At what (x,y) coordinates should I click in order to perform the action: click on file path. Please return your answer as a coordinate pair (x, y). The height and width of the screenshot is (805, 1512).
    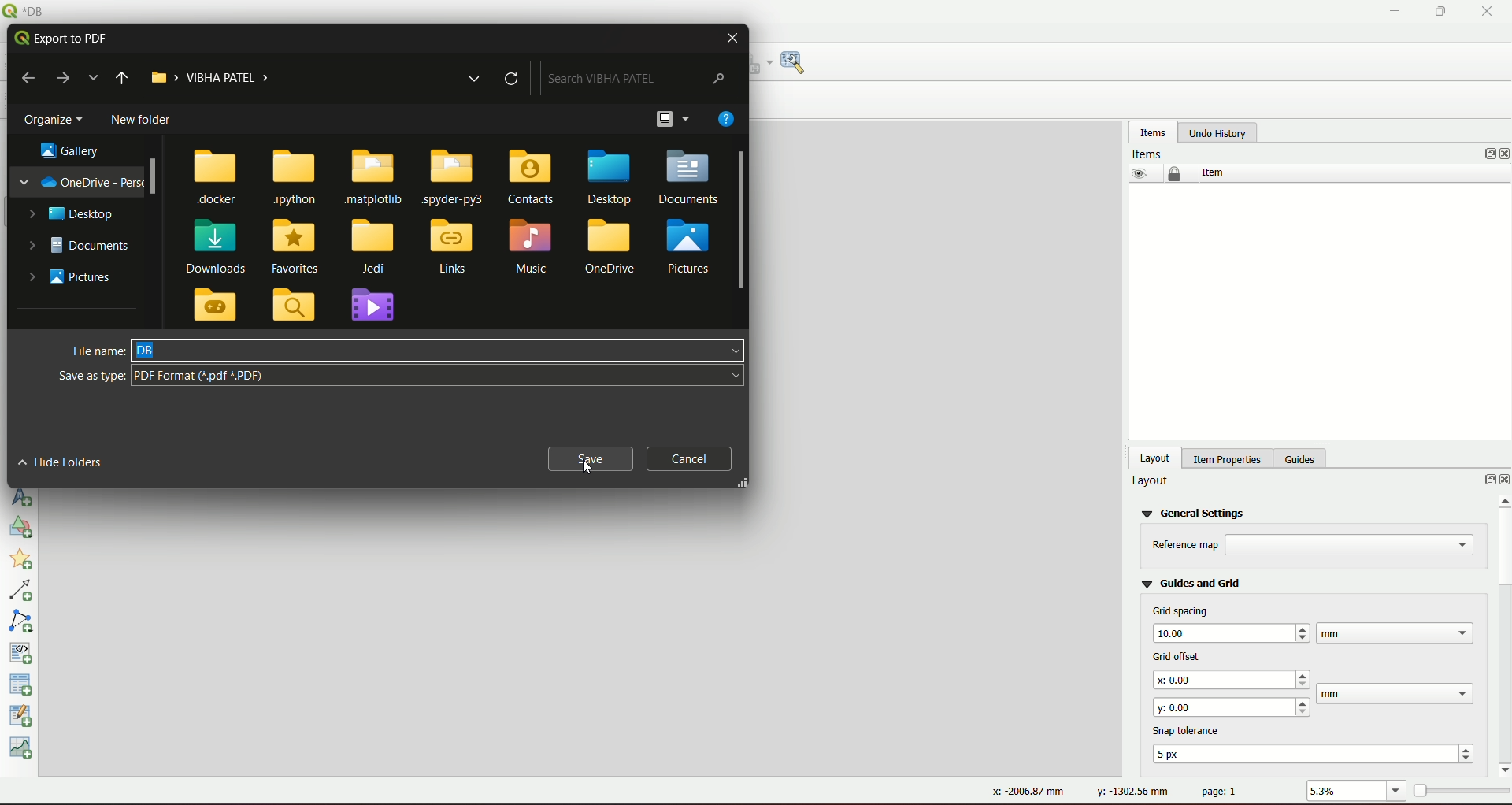
    Looking at the image, I should click on (315, 78).